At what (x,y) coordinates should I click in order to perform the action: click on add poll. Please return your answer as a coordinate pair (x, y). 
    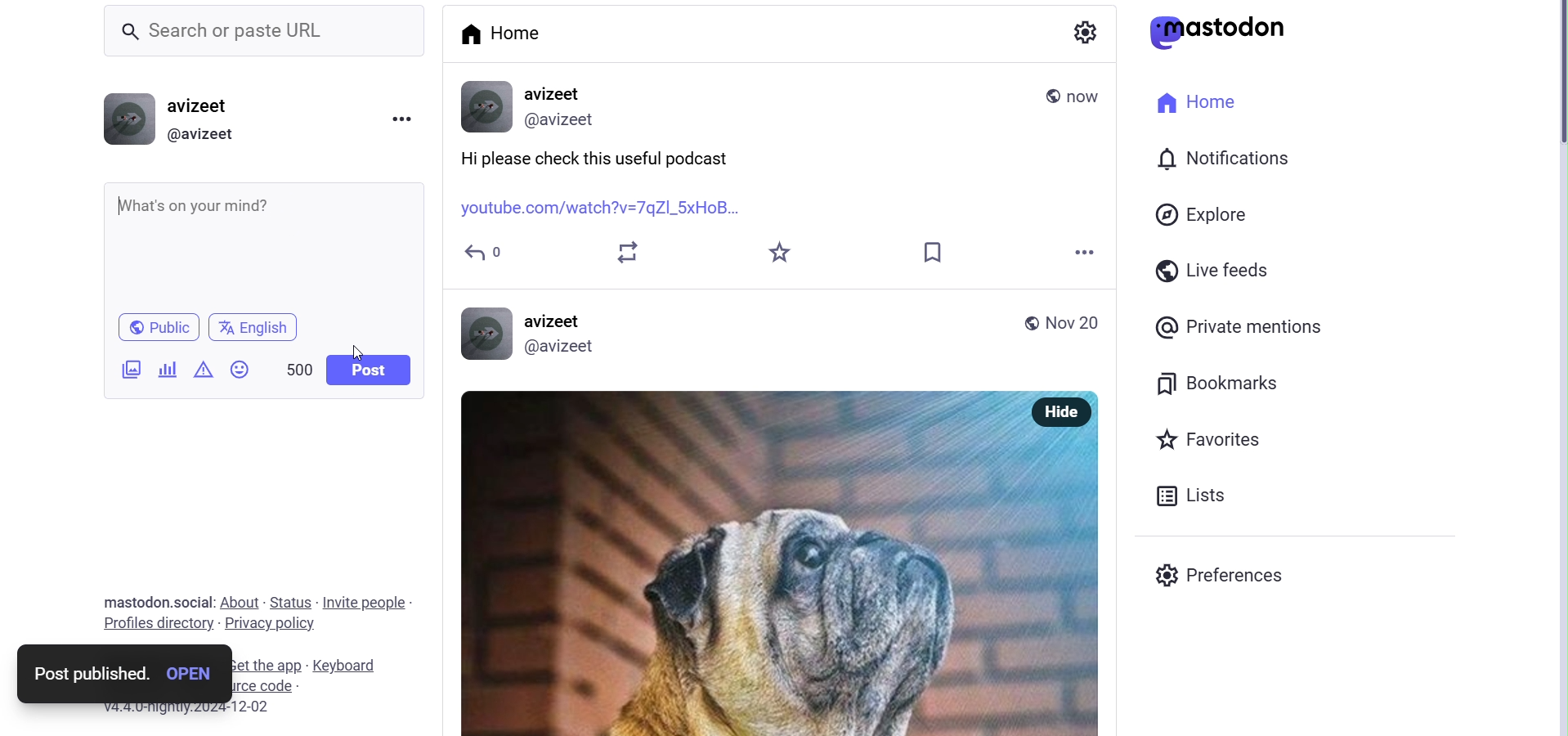
    Looking at the image, I should click on (167, 368).